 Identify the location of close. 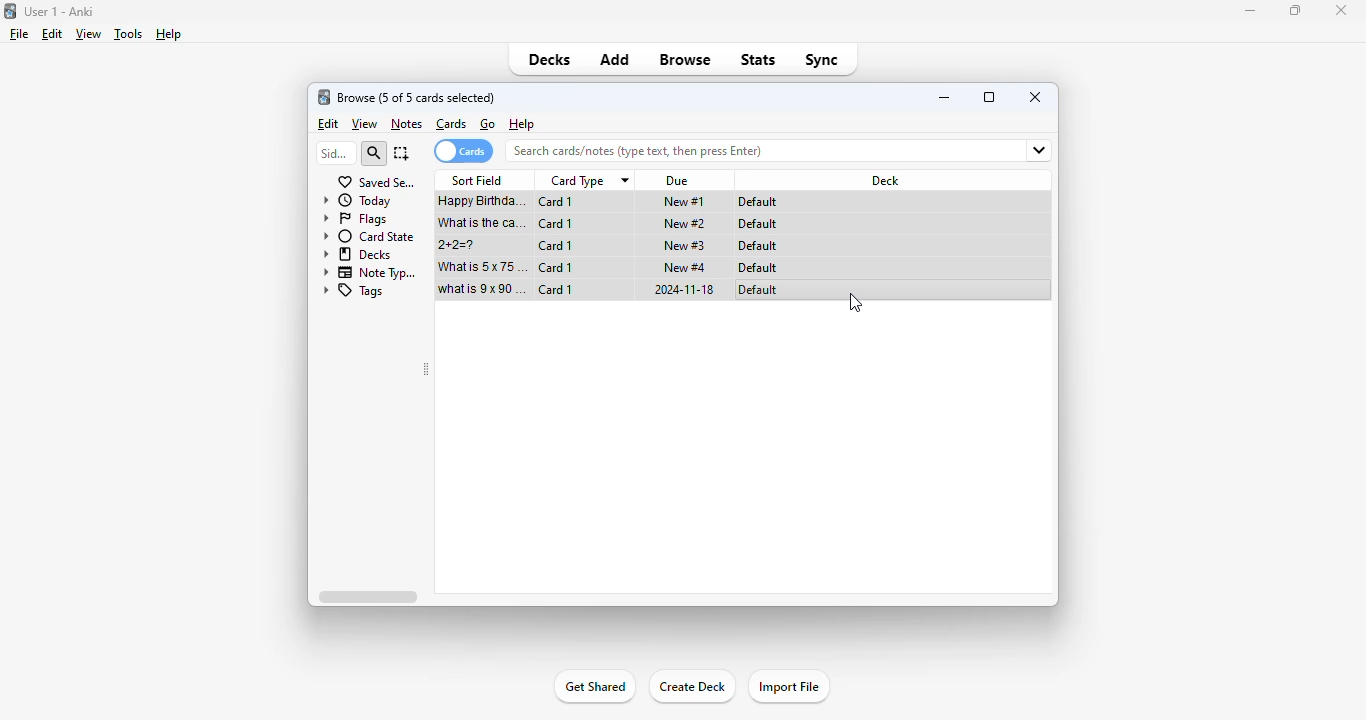
(1341, 11).